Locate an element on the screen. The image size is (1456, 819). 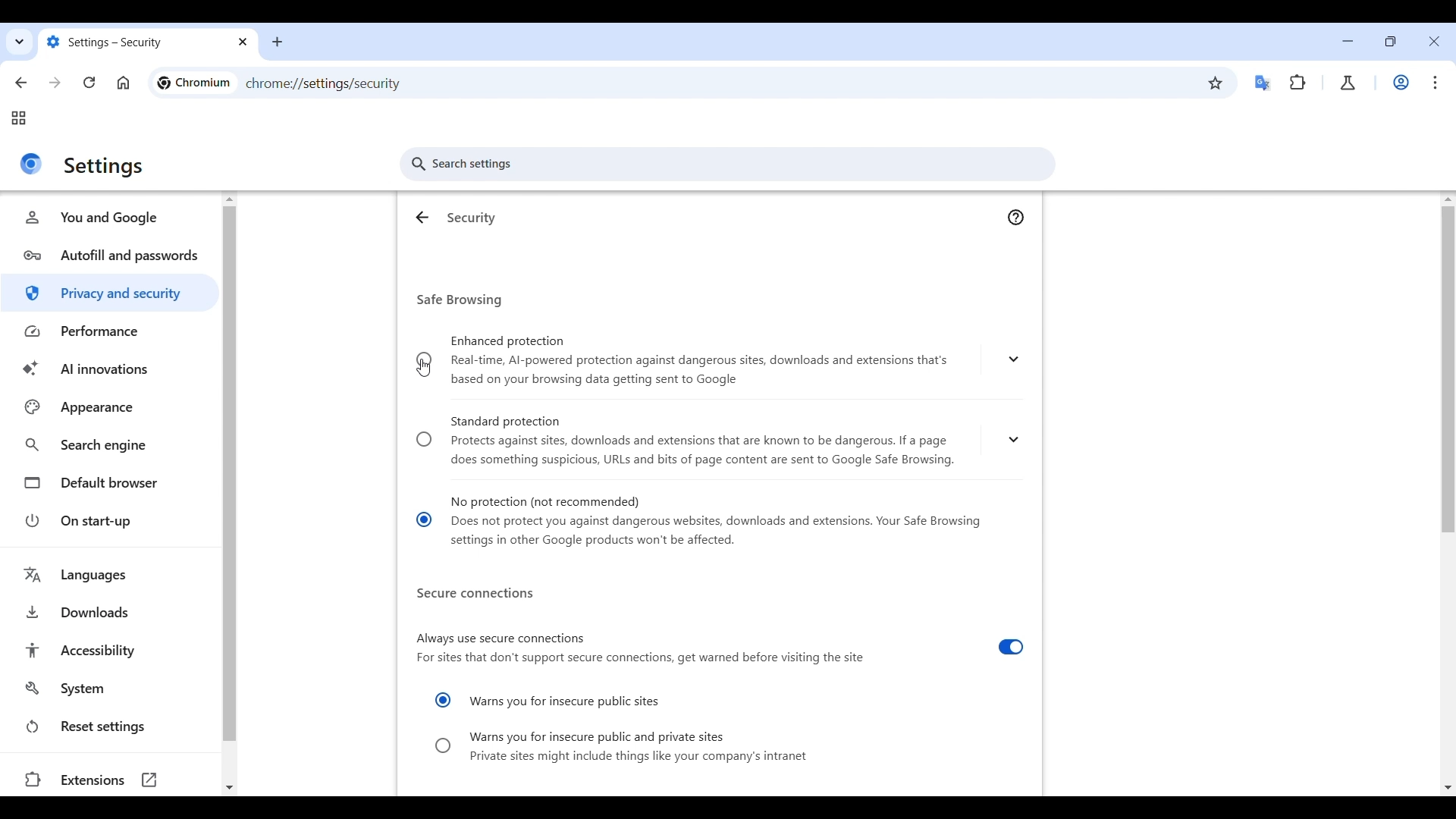
Always use secure connections For sites that don't support secure connections, get warned before visiting the site is located at coordinates (729, 648).